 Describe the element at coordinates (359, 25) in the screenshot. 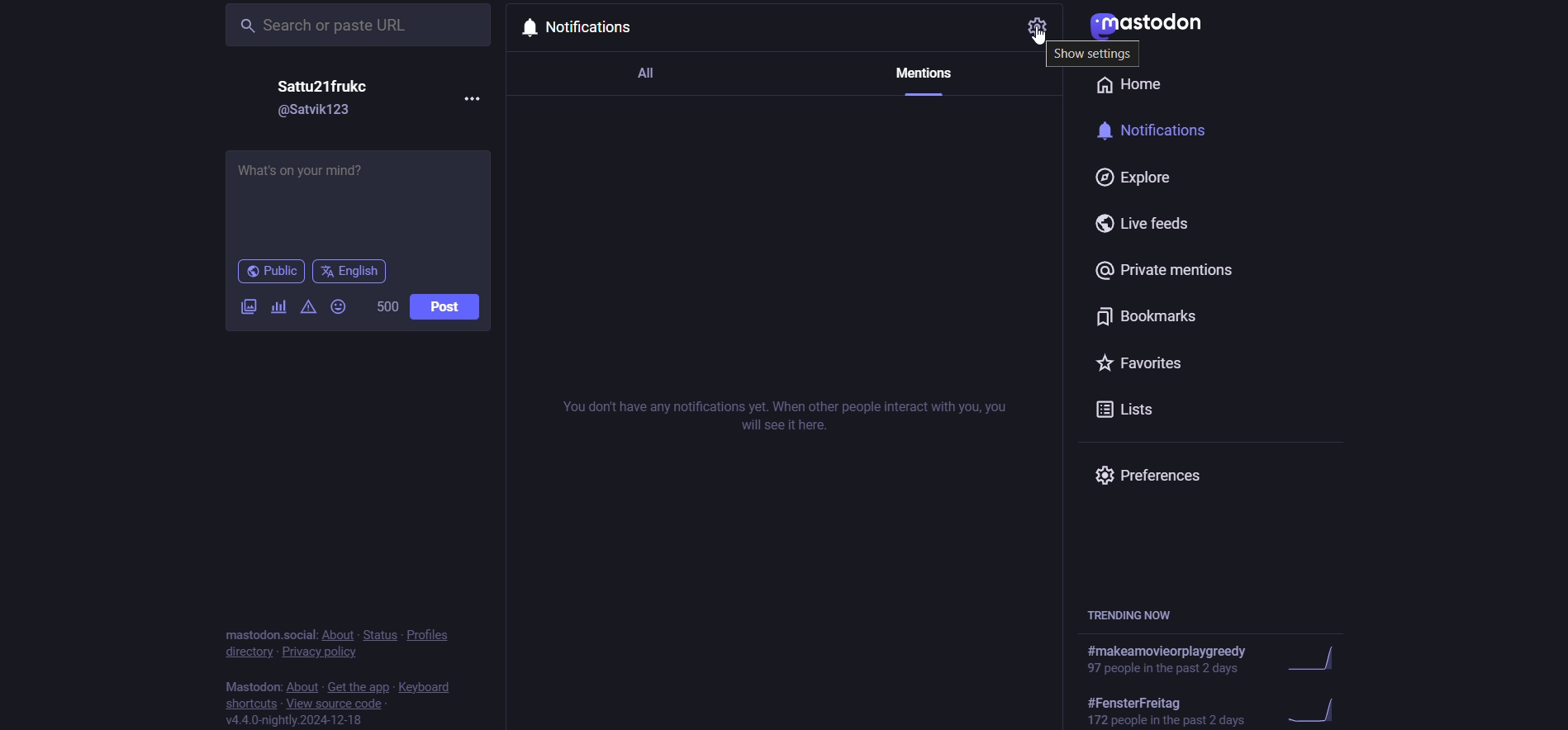

I see `Search or paste URL` at that location.